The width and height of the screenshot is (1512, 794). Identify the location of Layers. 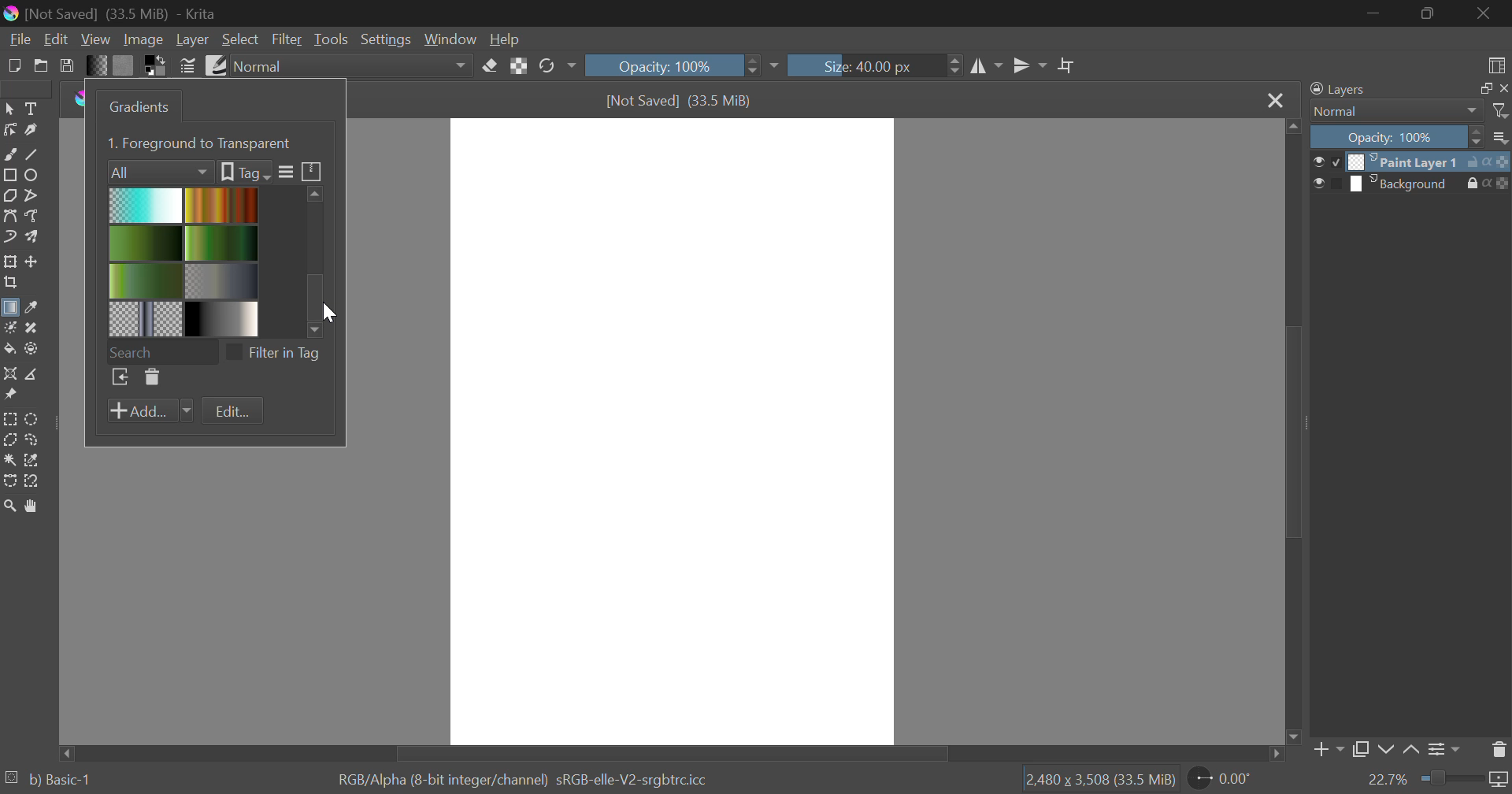
(1338, 90).